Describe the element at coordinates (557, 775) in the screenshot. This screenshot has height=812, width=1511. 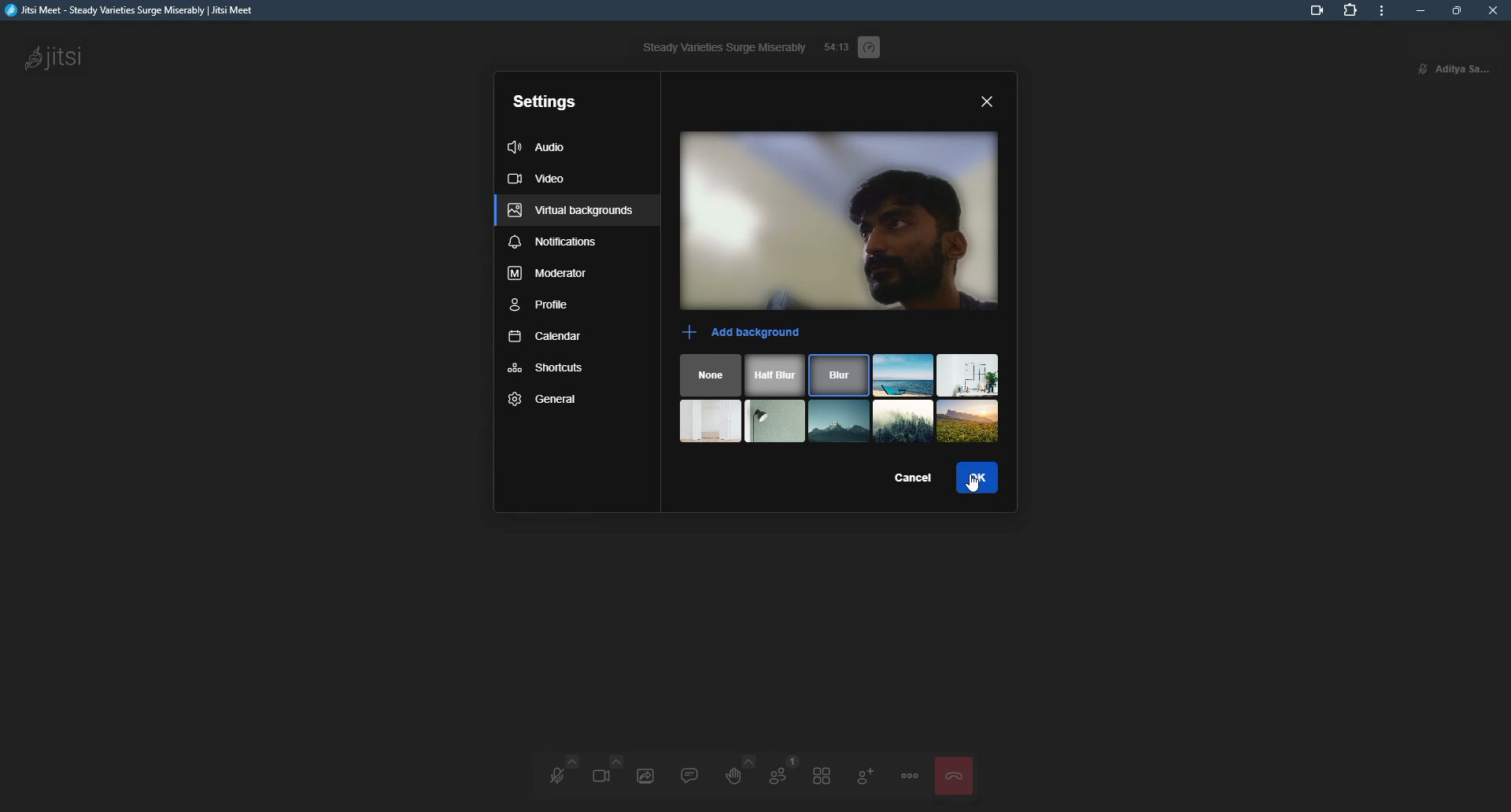
I see `open mic` at that location.